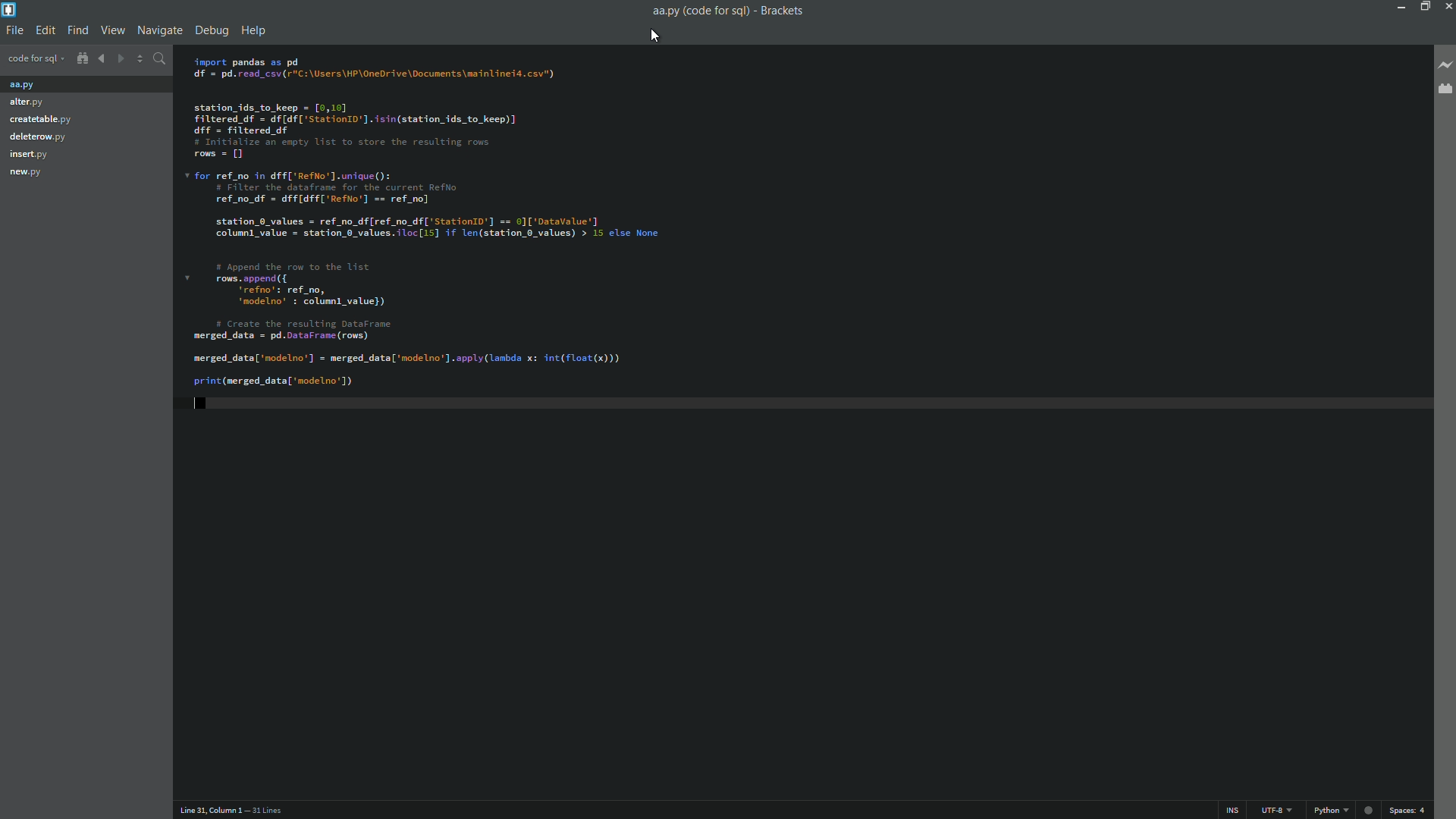  Describe the element at coordinates (429, 224) in the screenshot. I see `code` at that location.